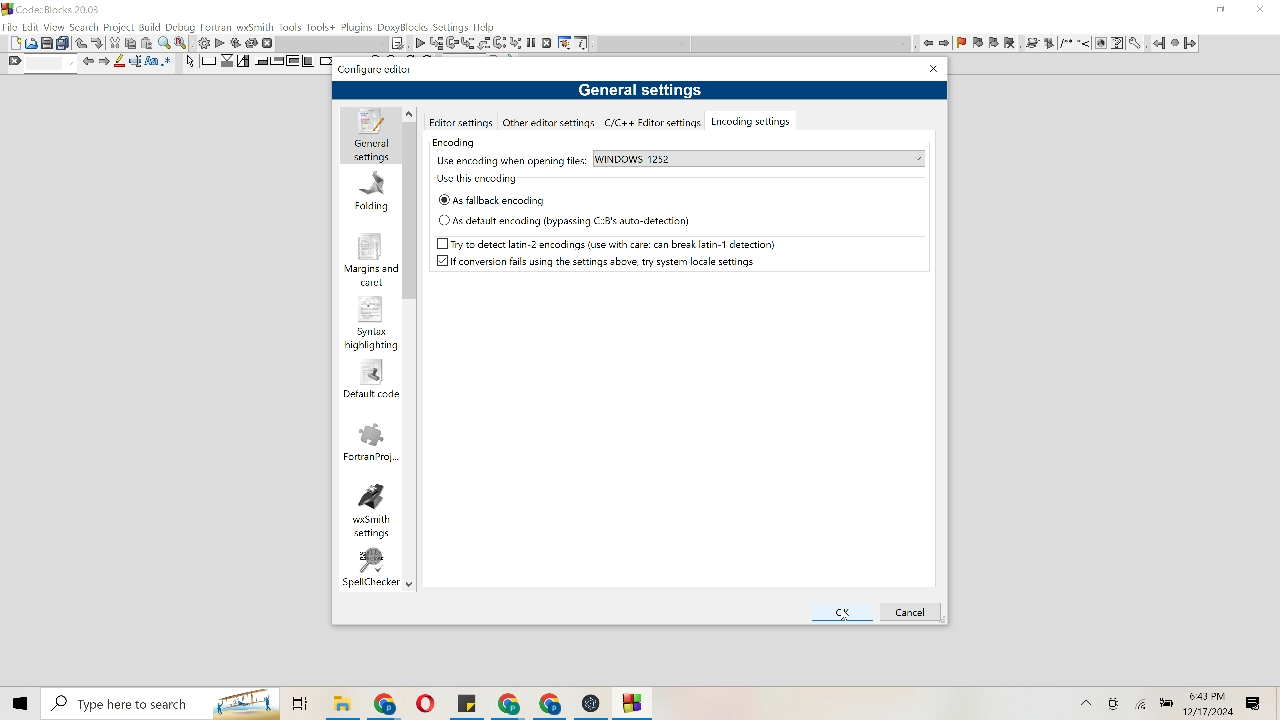  Describe the element at coordinates (934, 69) in the screenshot. I see `Close` at that location.